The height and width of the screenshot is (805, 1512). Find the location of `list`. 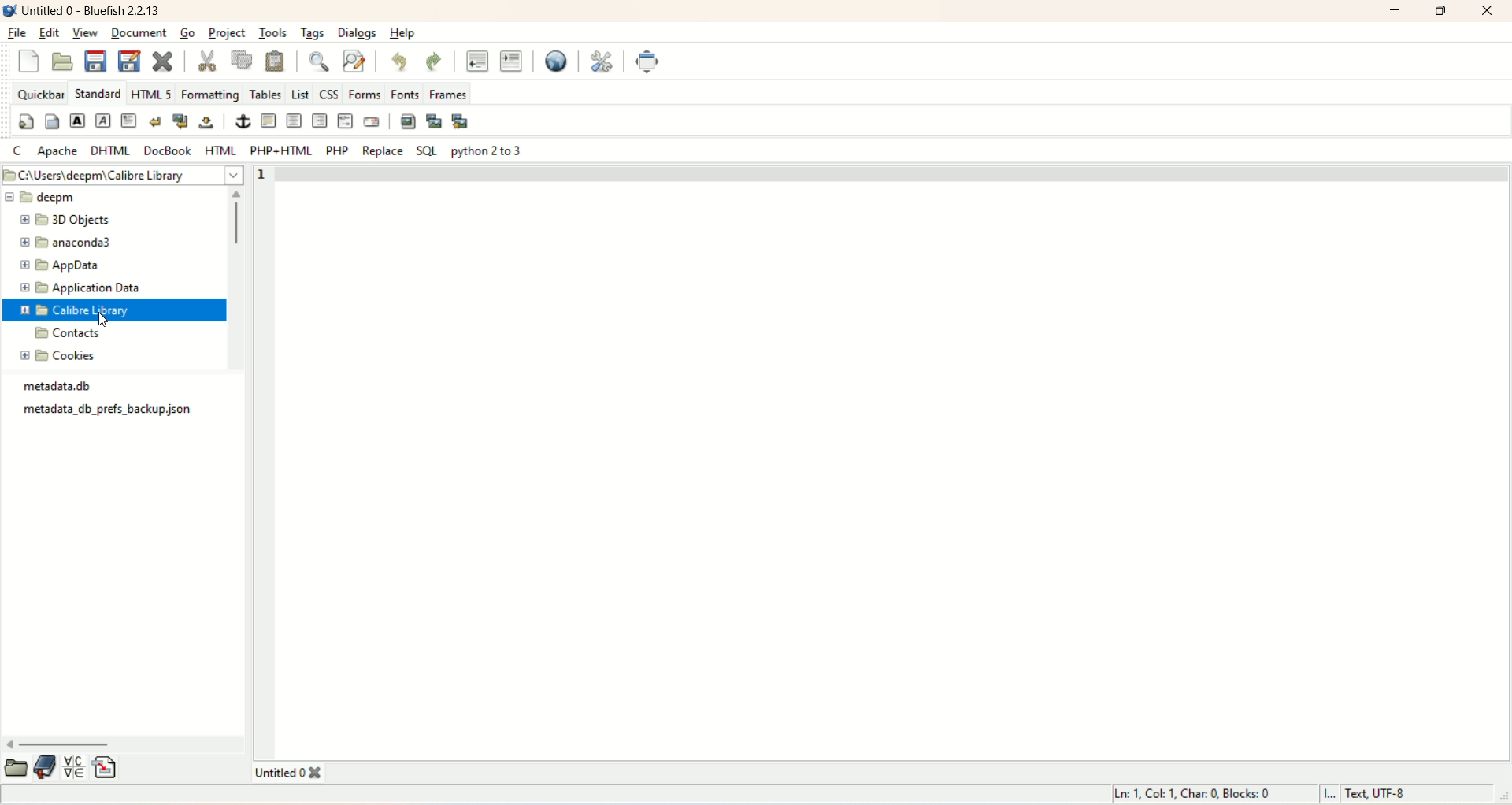

list is located at coordinates (298, 91).